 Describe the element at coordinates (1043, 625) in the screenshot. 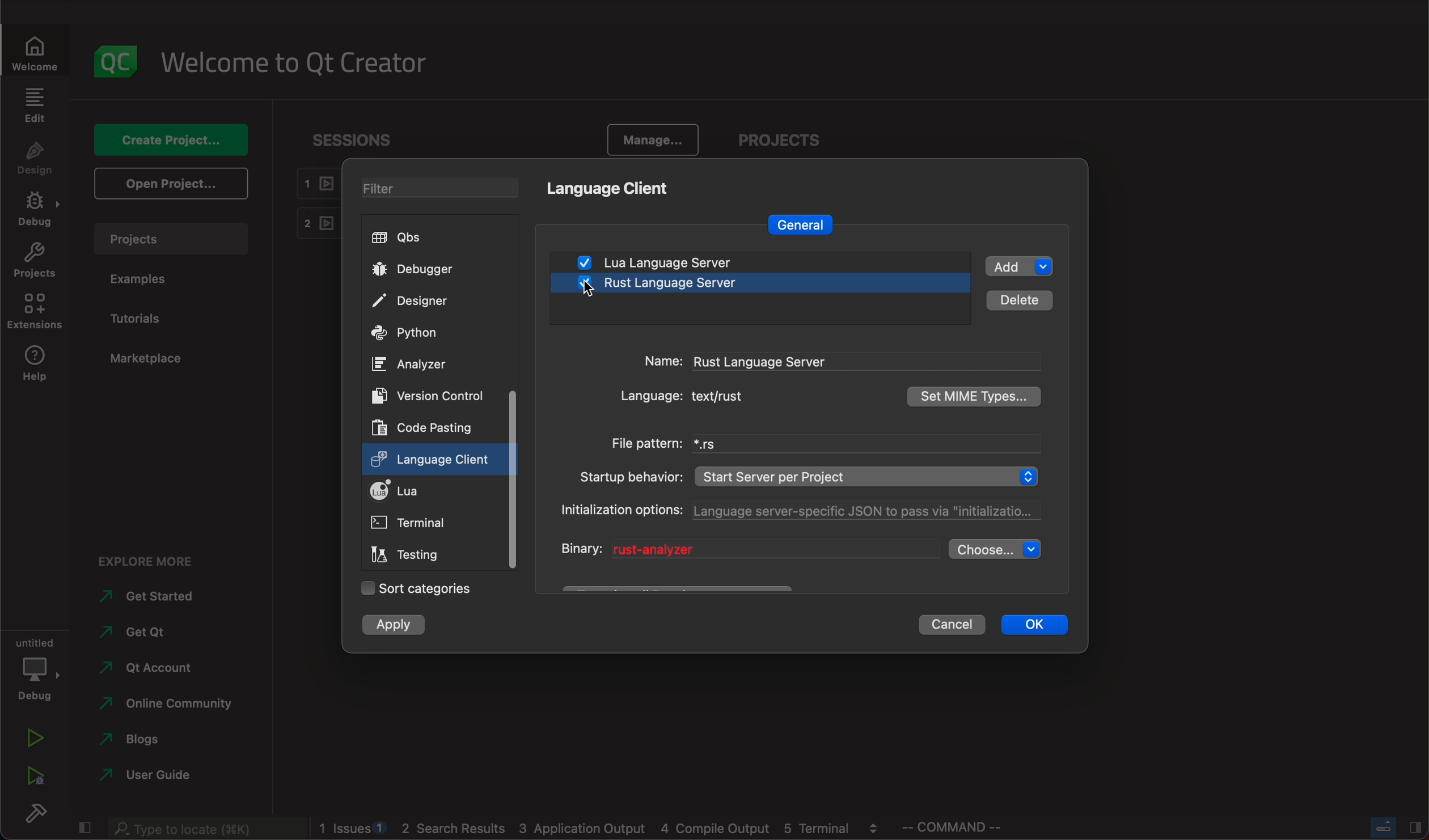

I see `ok` at that location.